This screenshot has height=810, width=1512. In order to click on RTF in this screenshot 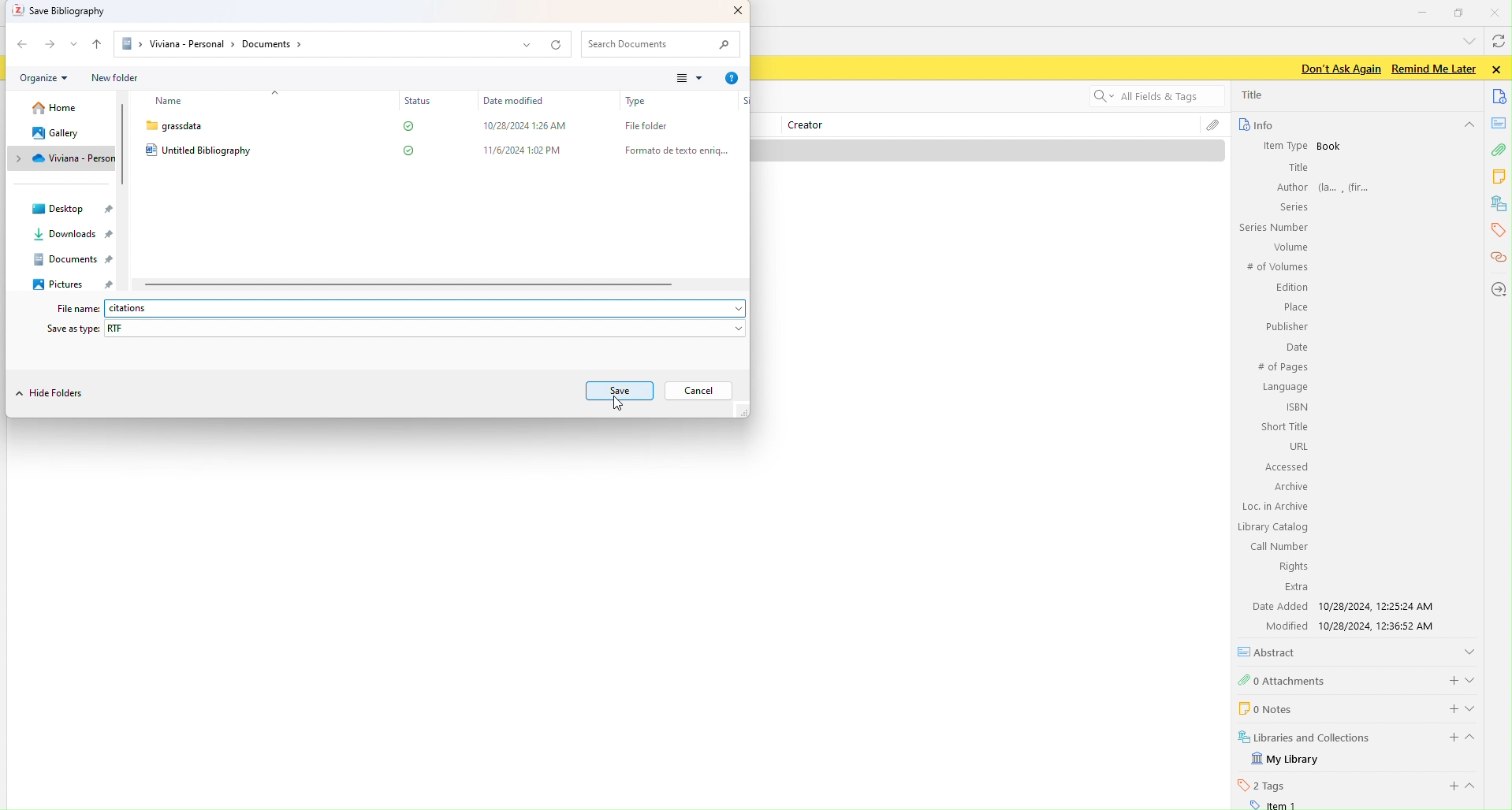, I will do `click(122, 328)`.